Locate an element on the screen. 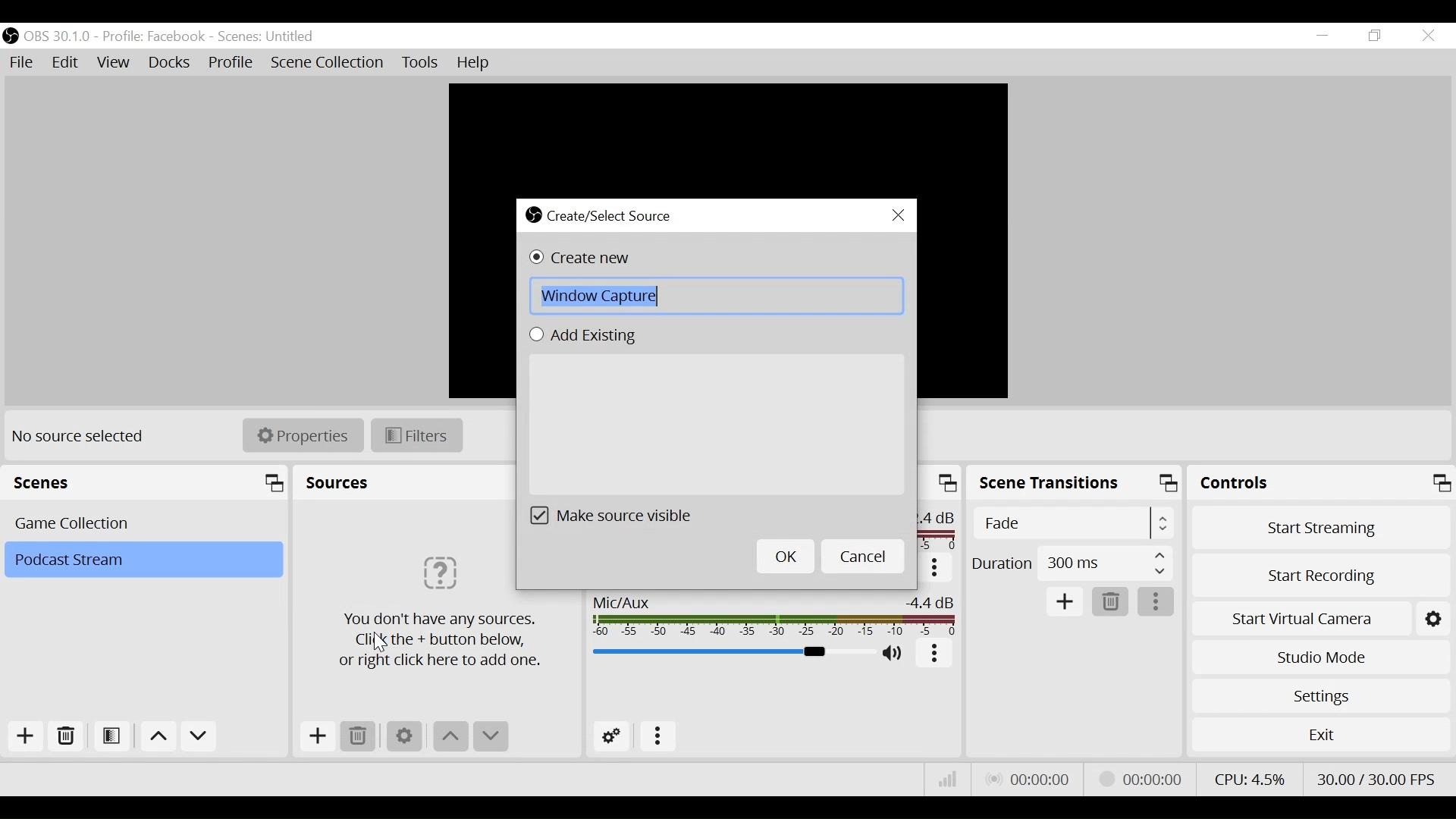  Select Duration is located at coordinates (1072, 563).